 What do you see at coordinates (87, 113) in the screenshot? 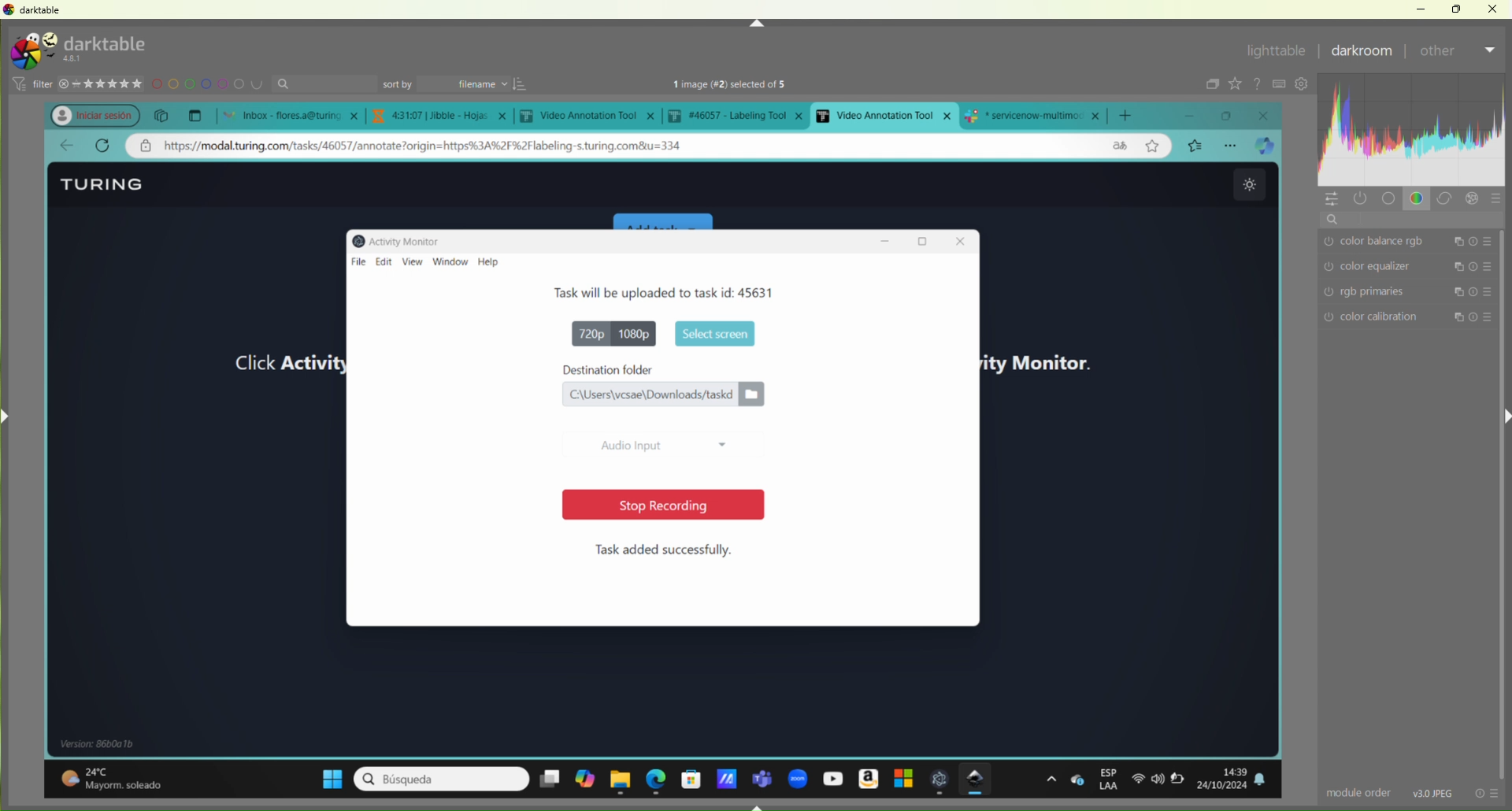
I see `profile` at bounding box center [87, 113].